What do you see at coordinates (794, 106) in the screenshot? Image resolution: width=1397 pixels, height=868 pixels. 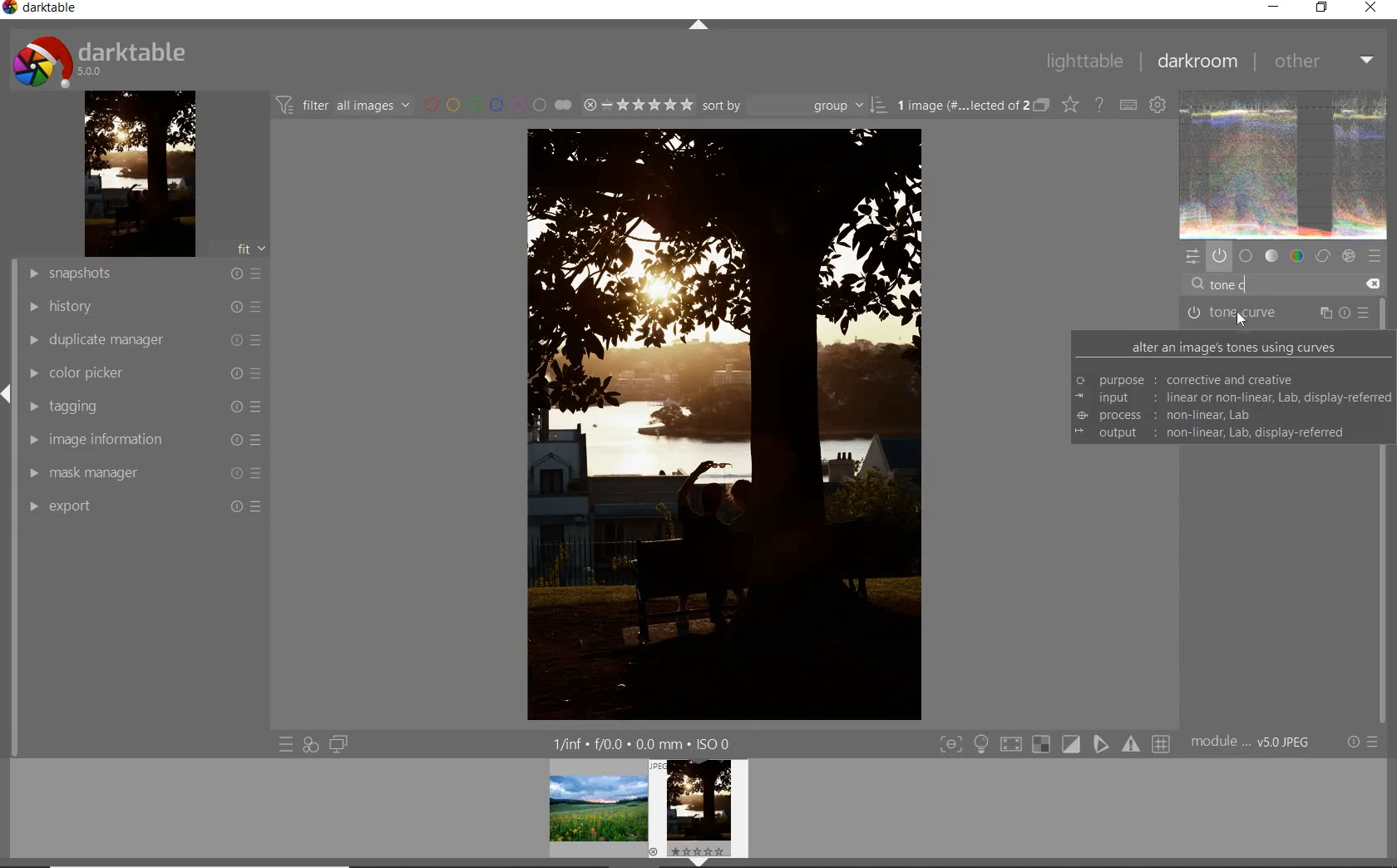 I see `Sort` at bounding box center [794, 106].